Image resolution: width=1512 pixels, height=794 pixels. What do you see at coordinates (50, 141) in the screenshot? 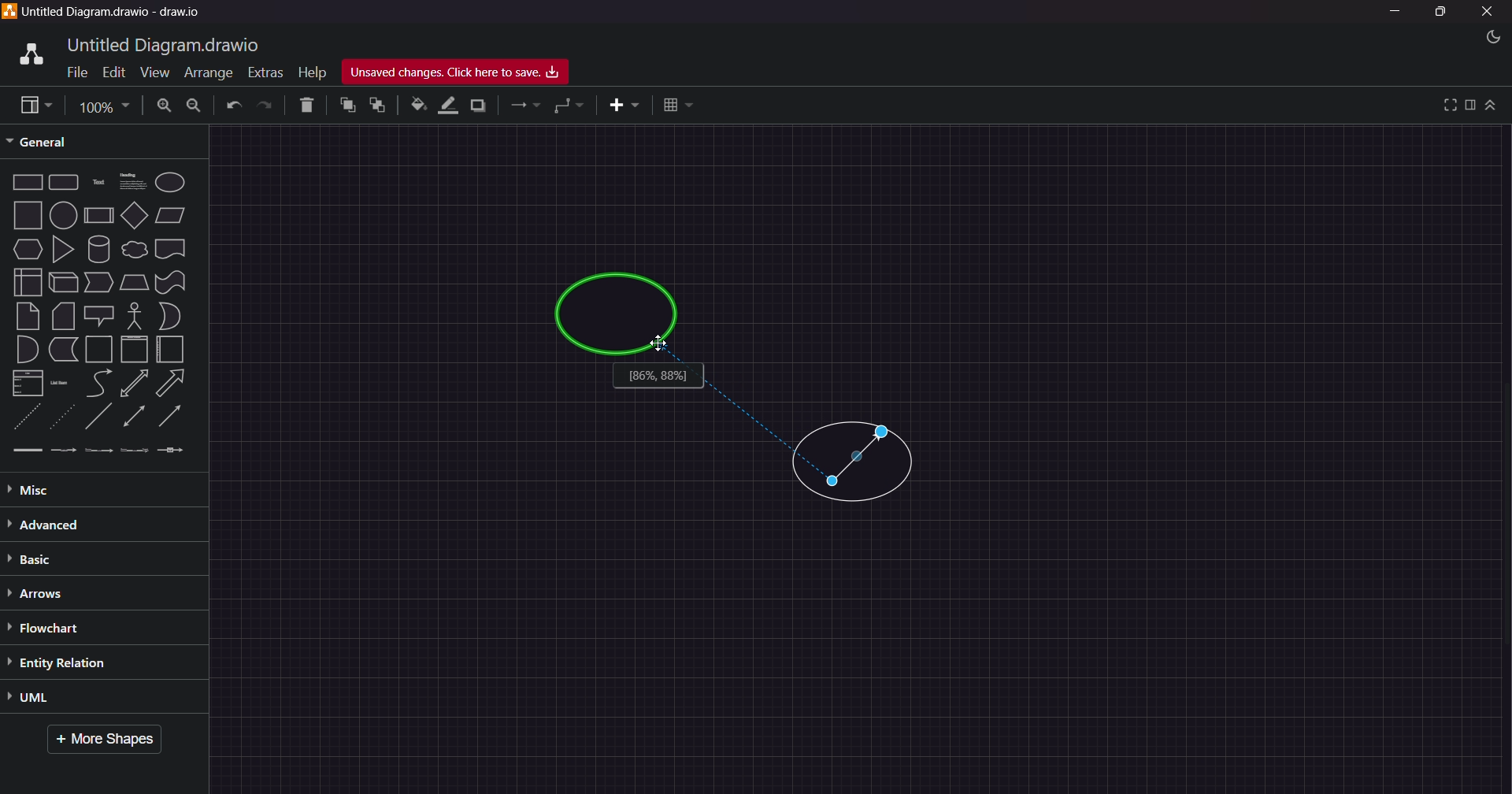
I see `General` at bounding box center [50, 141].